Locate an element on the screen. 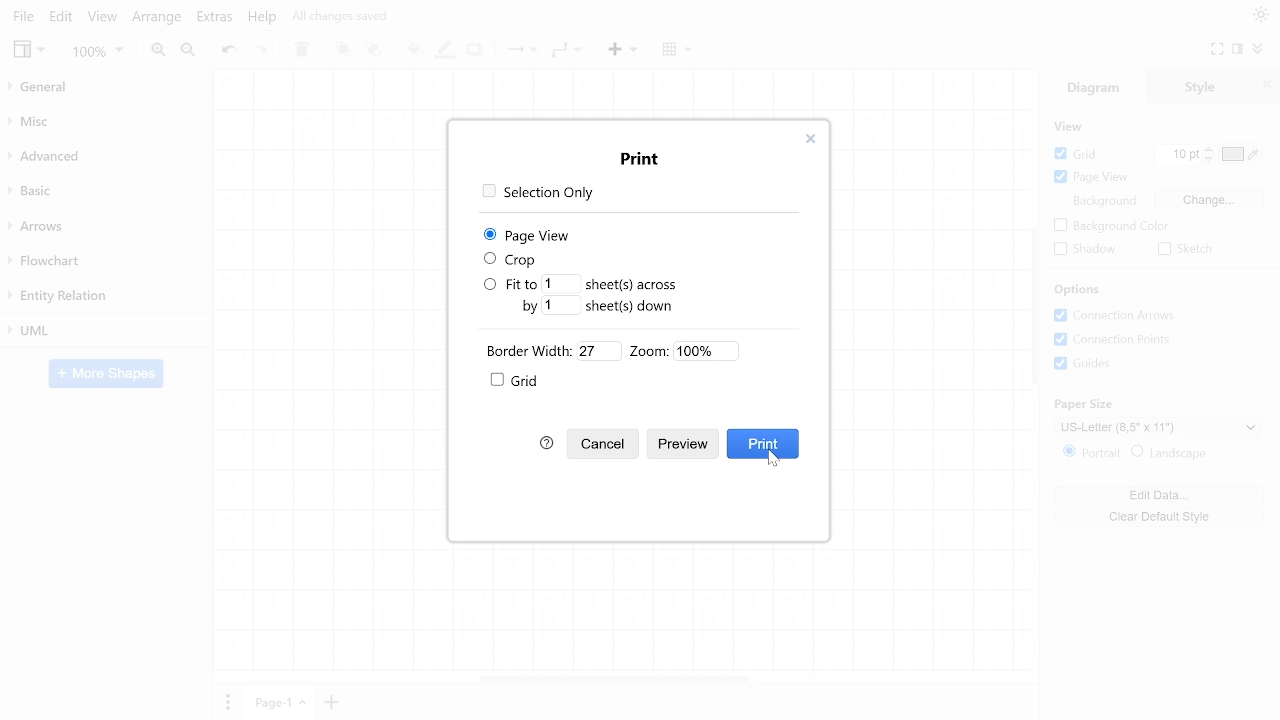 The width and height of the screenshot is (1280, 720). Zoom is located at coordinates (682, 351).